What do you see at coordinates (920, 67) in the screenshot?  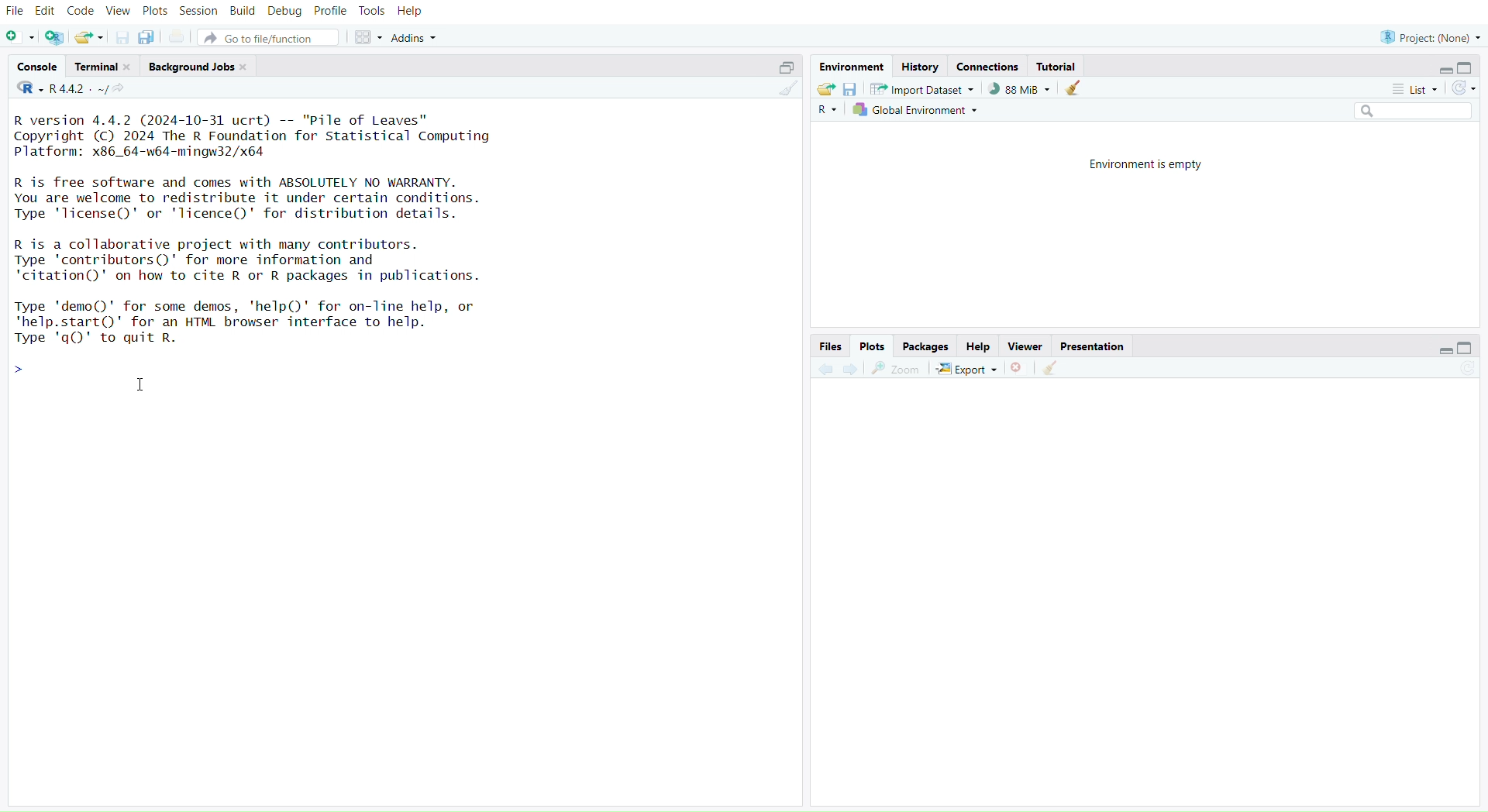 I see `history` at bounding box center [920, 67].